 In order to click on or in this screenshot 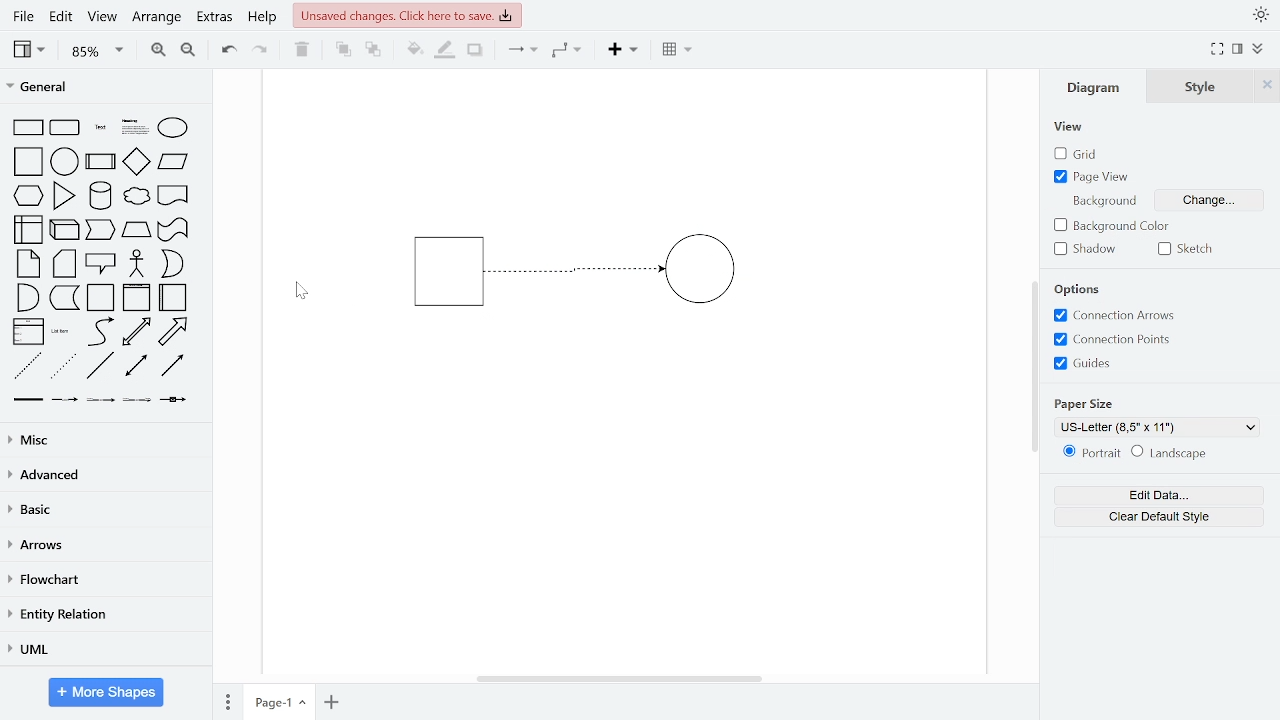, I will do `click(172, 264)`.